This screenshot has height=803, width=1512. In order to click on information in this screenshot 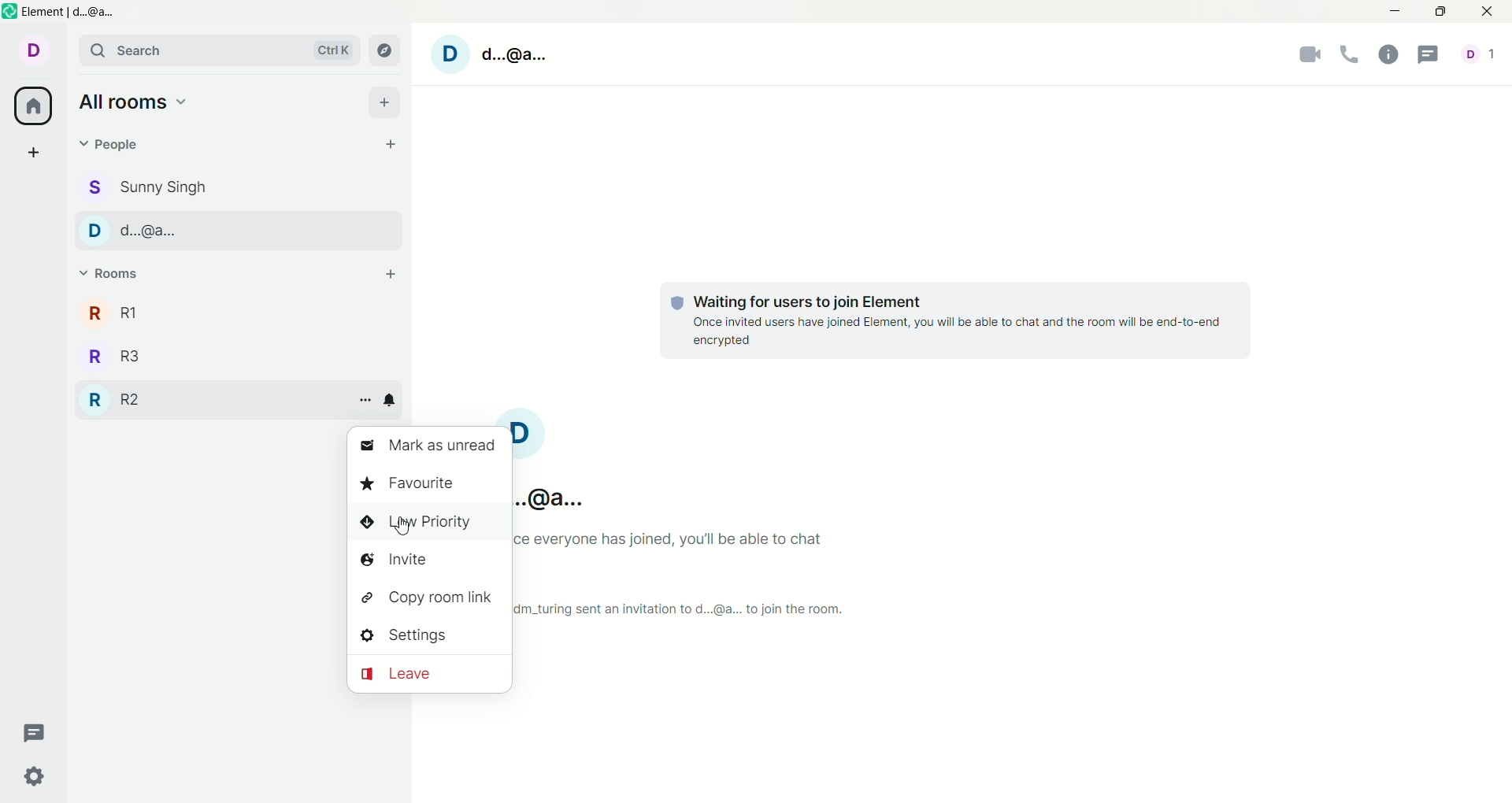, I will do `click(1388, 56)`.